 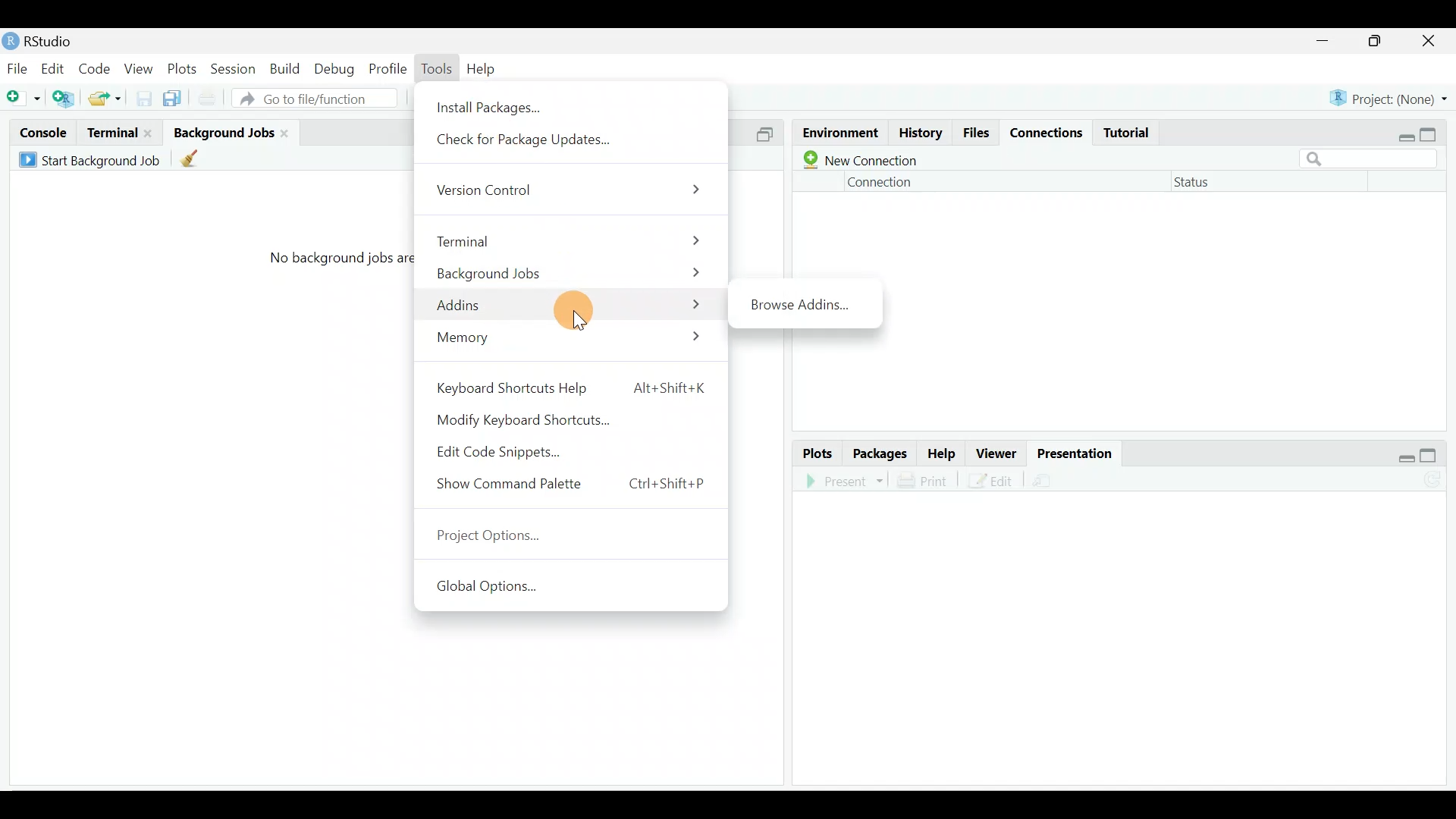 I want to click on Packages, so click(x=881, y=453).